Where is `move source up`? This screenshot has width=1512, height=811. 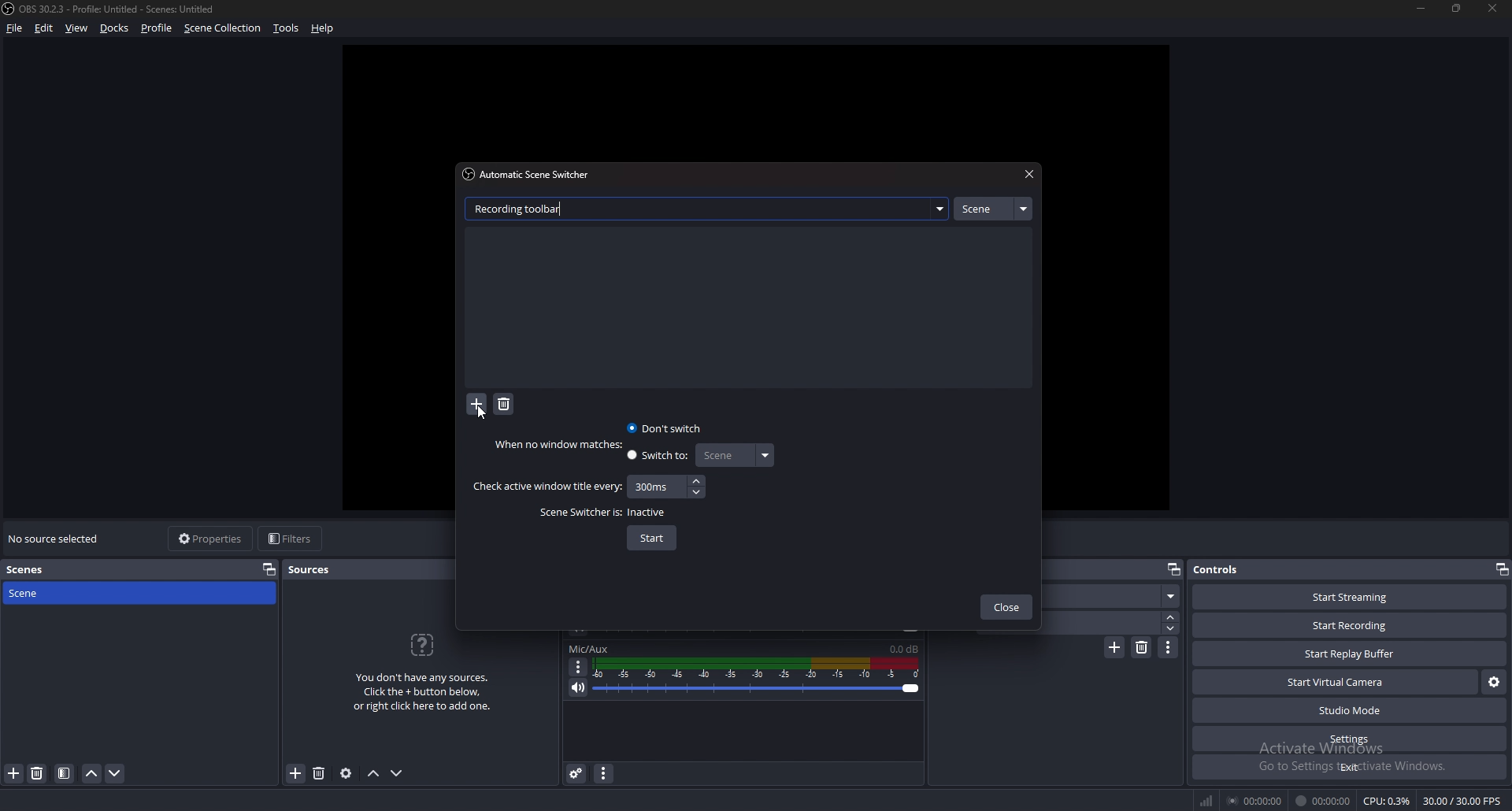 move source up is located at coordinates (373, 774).